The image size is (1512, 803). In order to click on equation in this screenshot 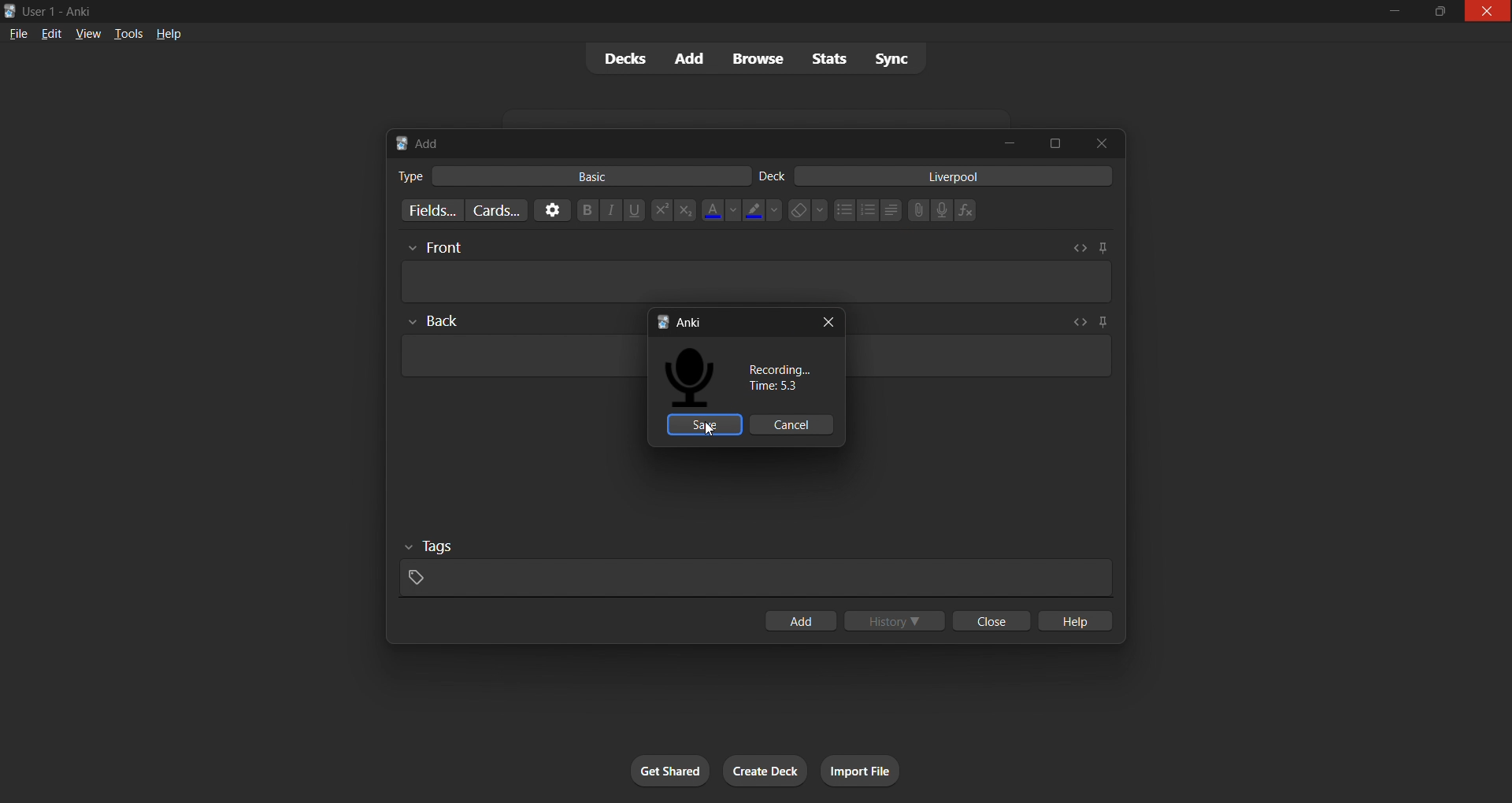, I will do `click(969, 211)`.